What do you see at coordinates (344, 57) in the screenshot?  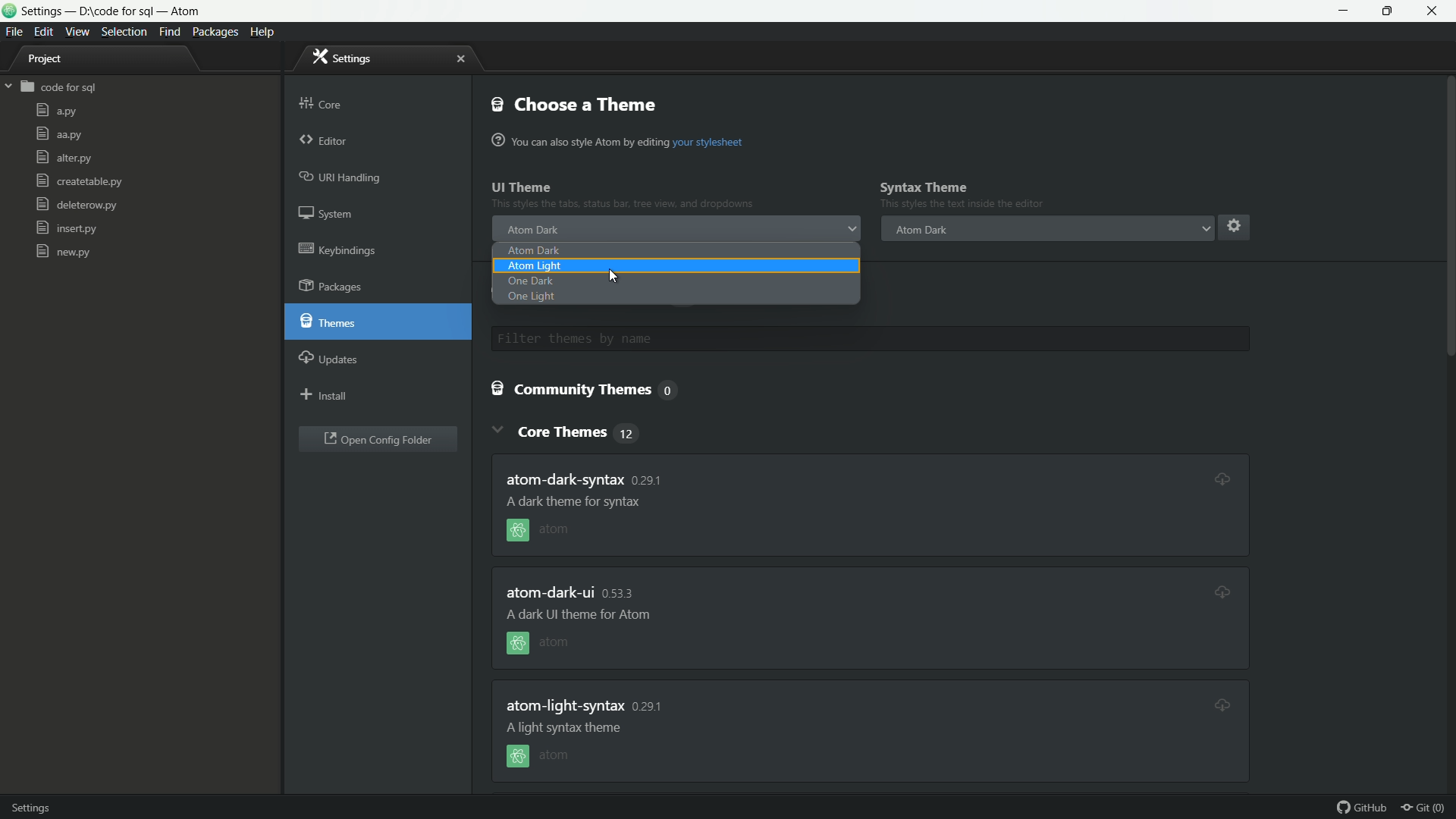 I see `settings` at bounding box center [344, 57].